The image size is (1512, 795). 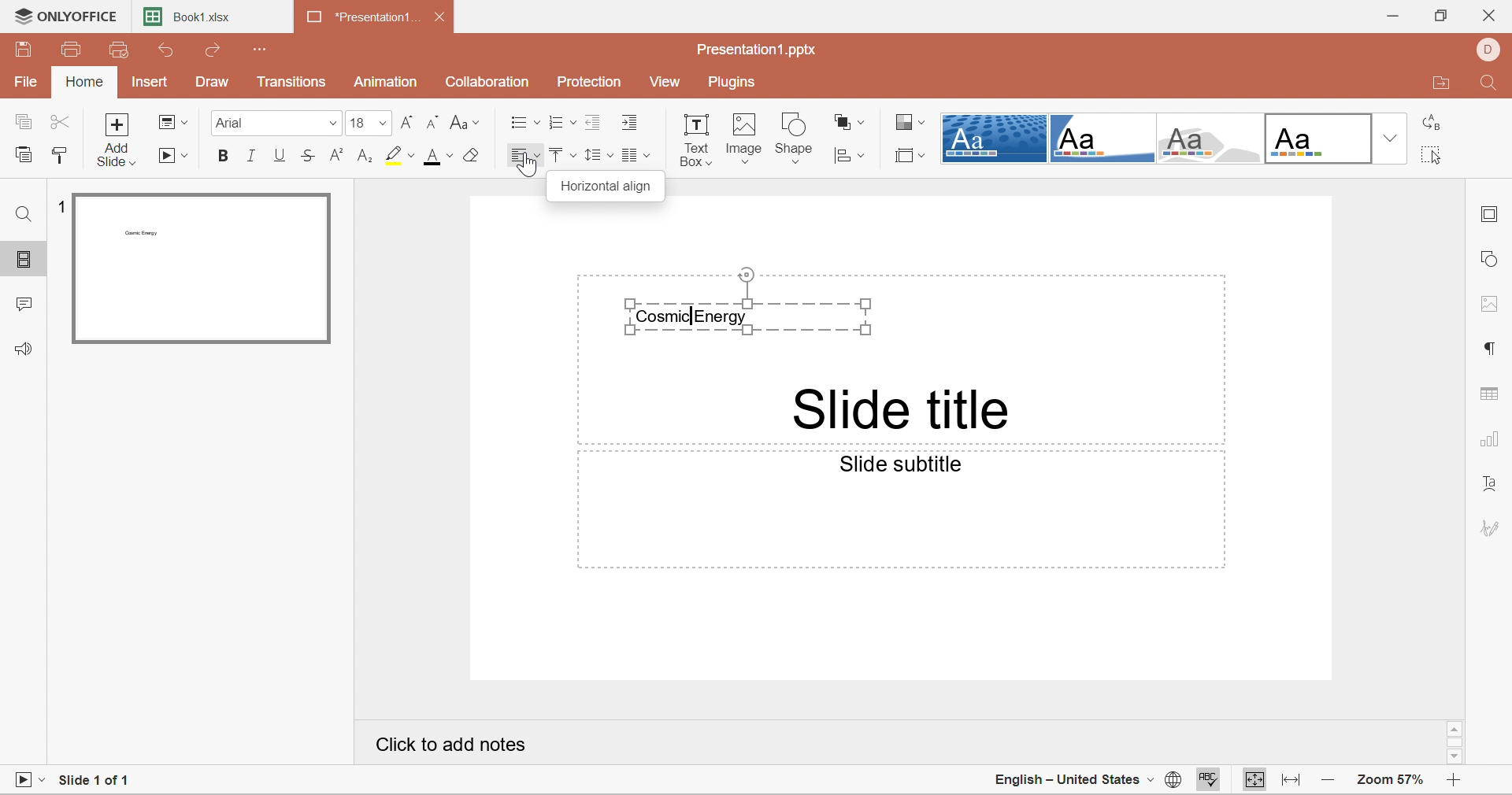 I want to click on Align Top, so click(x=559, y=156).